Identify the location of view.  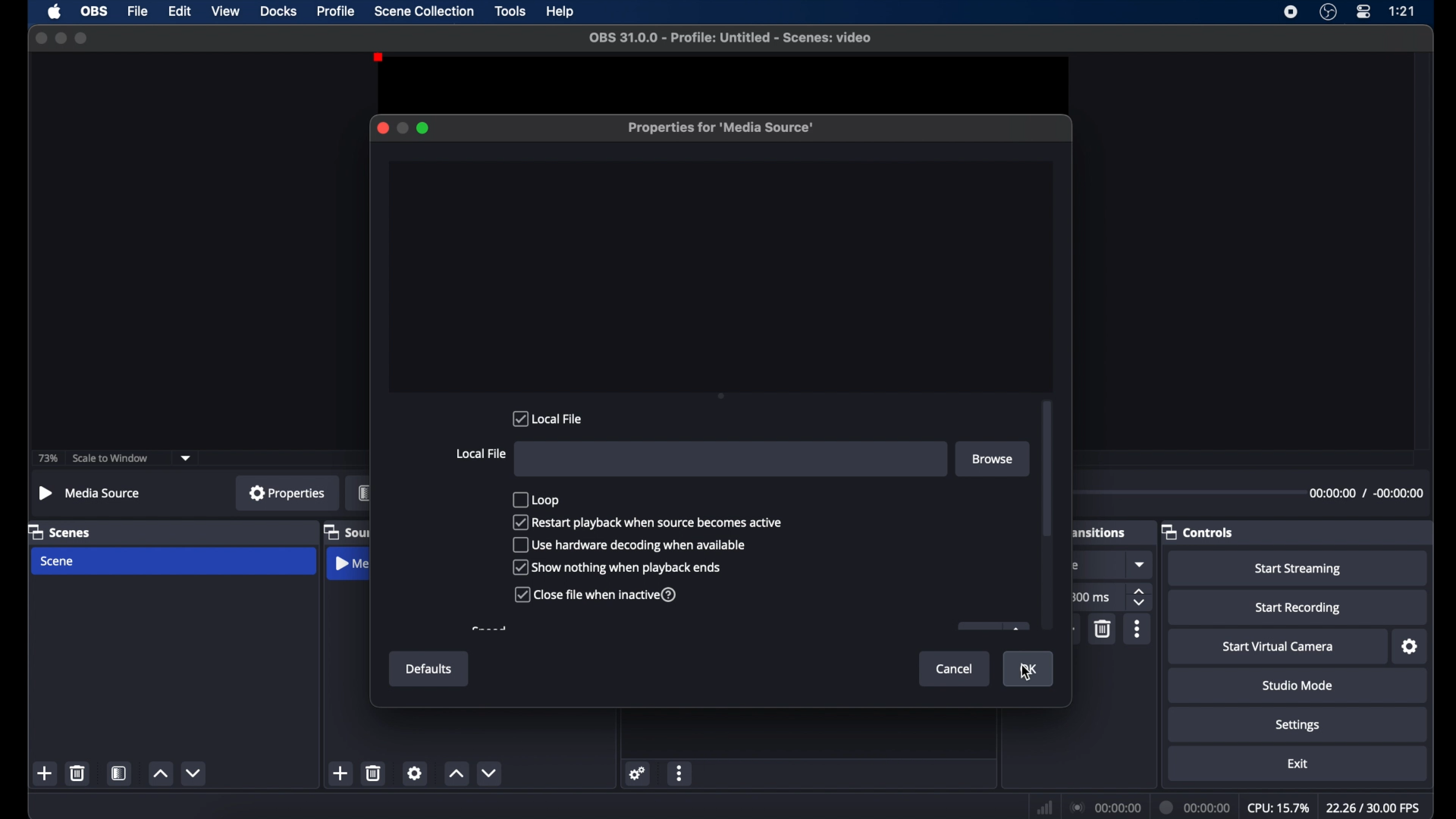
(227, 12).